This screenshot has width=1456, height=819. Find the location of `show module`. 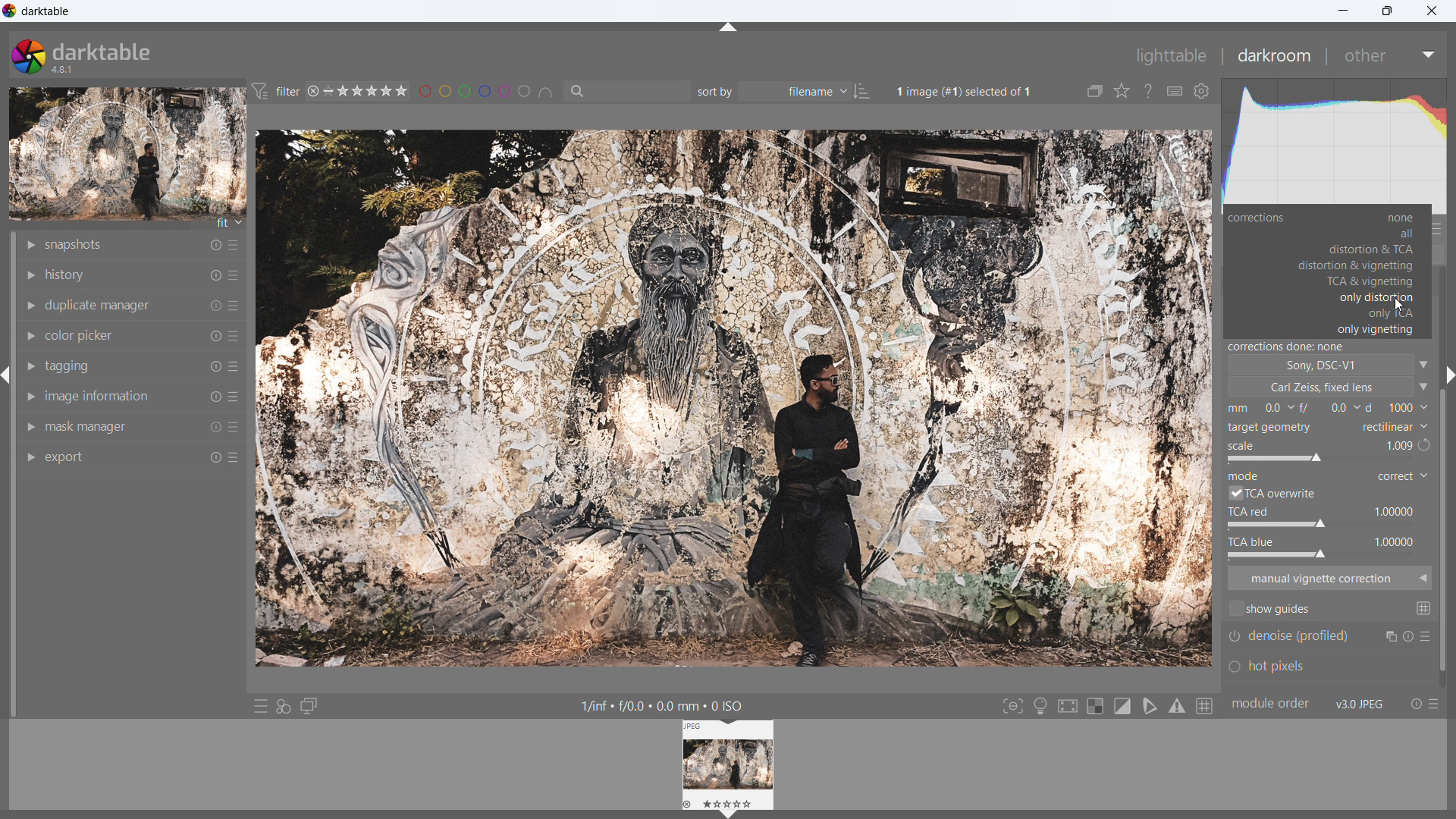

show module is located at coordinates (31, 335).